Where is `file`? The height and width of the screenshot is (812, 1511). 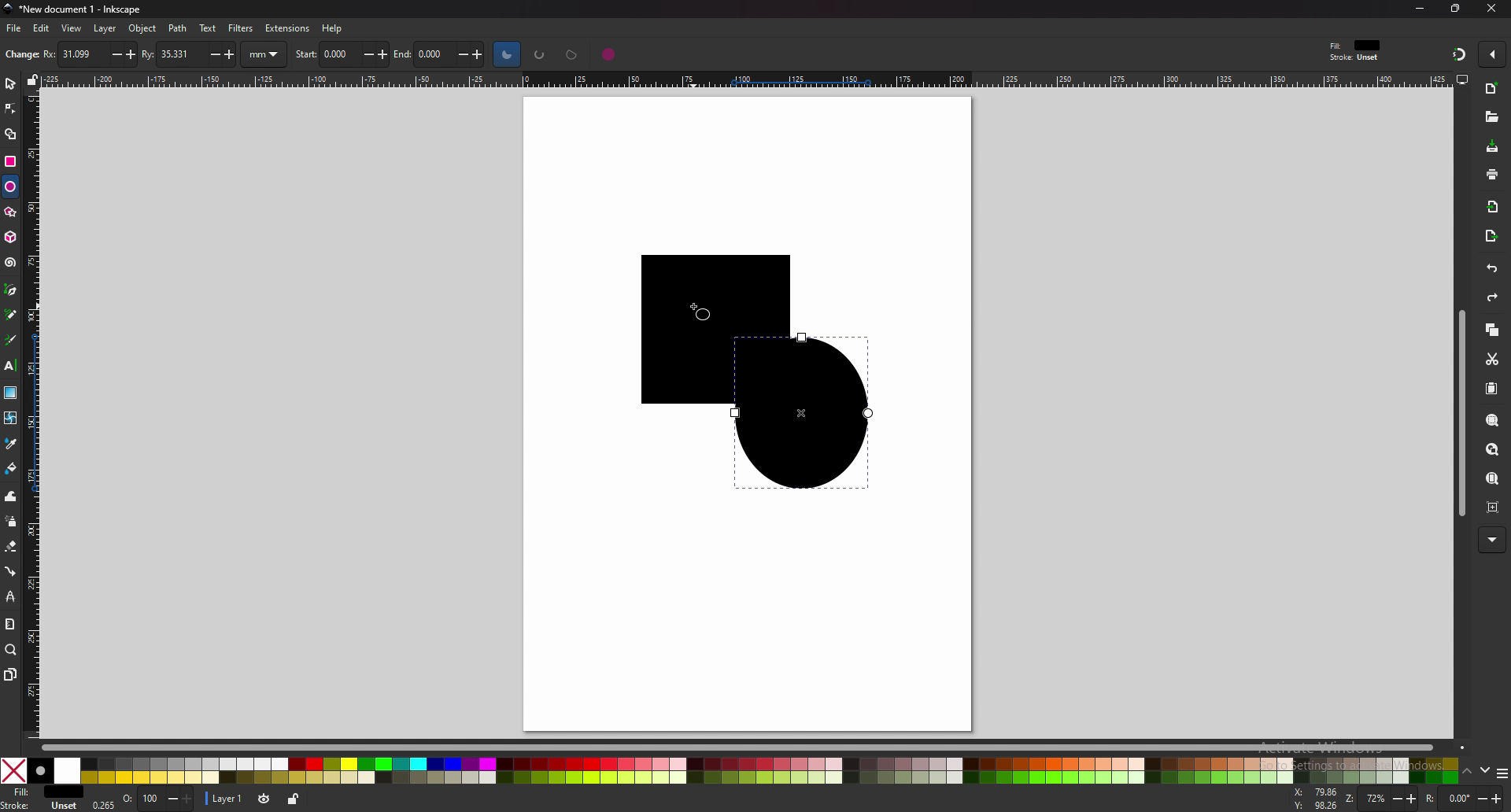
file is located at coordinates (15, 28).